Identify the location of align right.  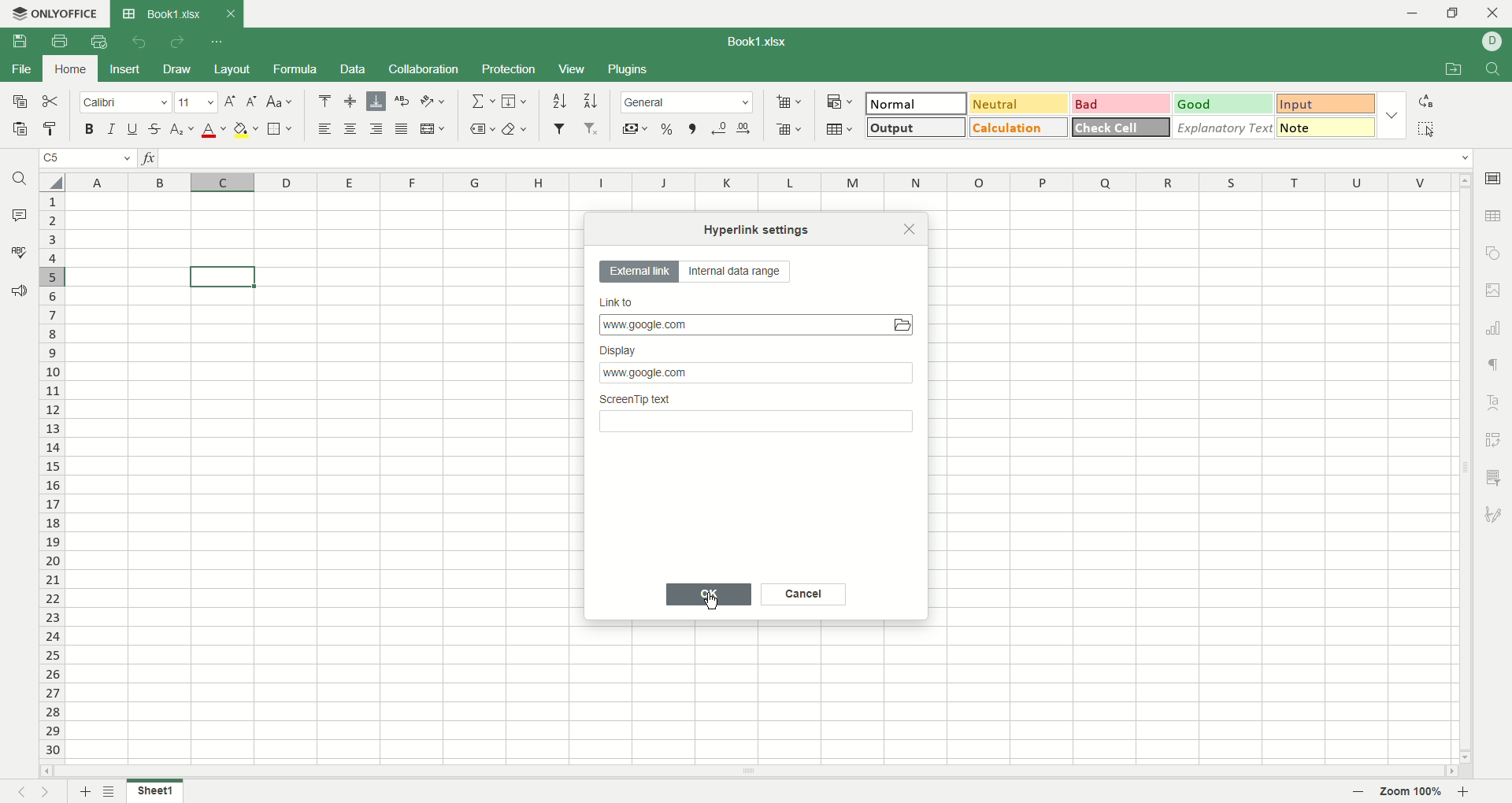
(379, 130).